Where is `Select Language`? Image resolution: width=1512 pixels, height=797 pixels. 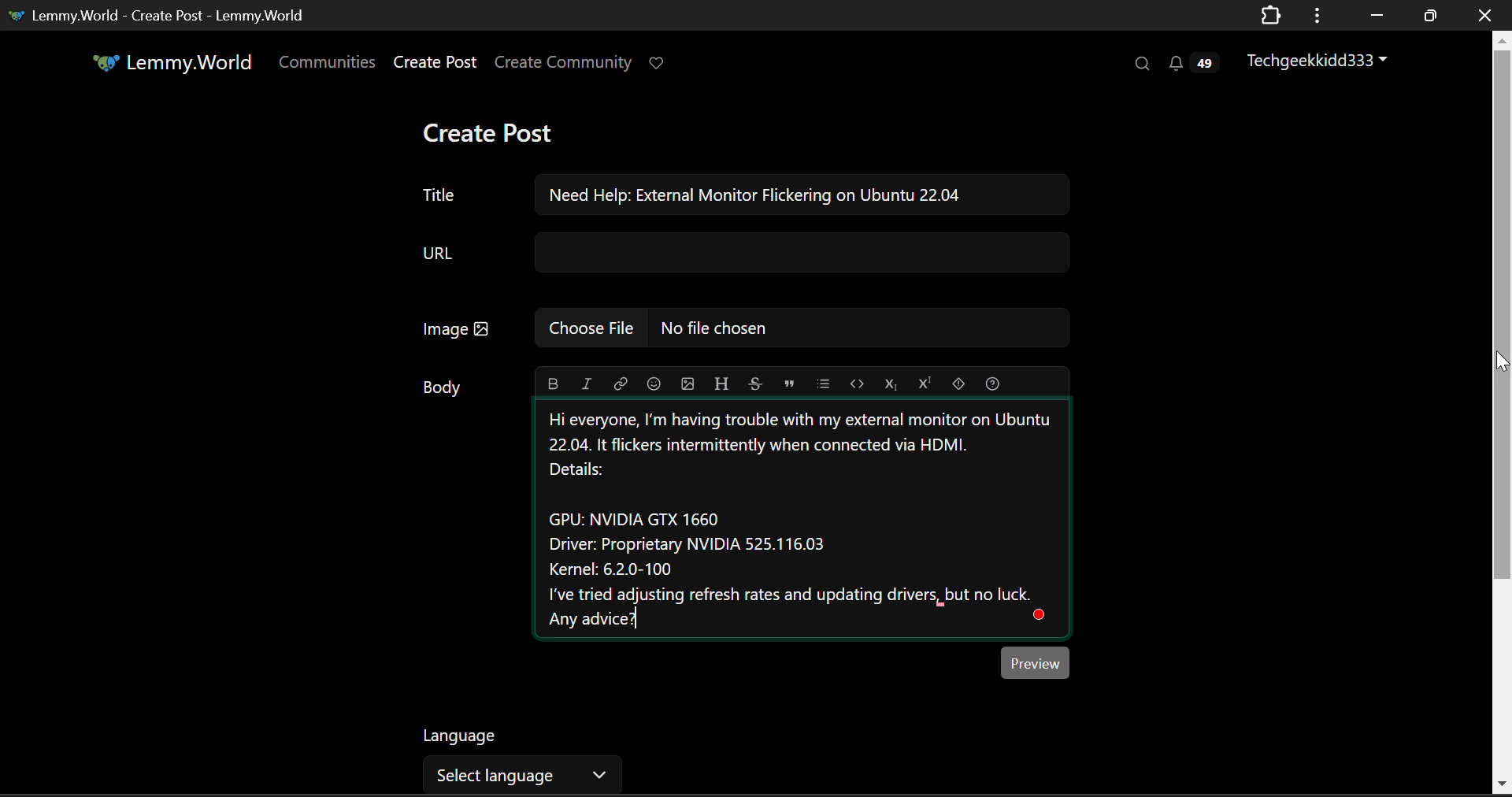
Select Language is located at coordinates (534, 761).